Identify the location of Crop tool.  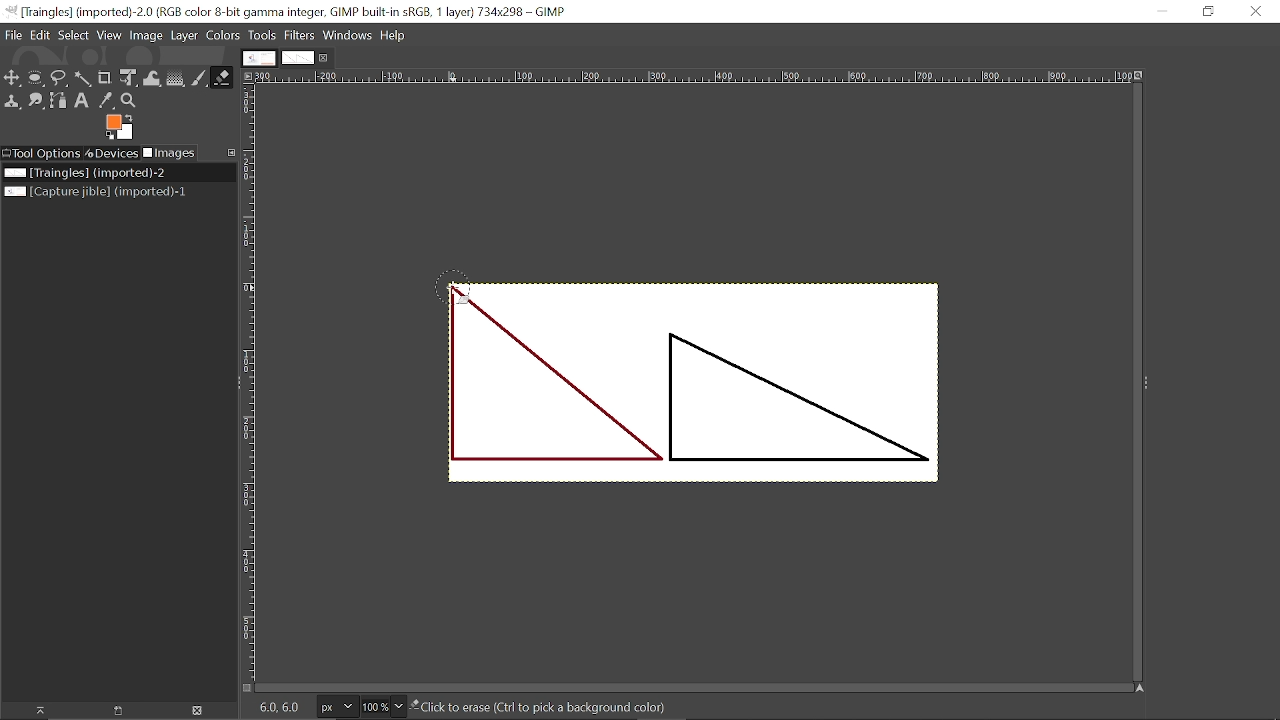
(103, 78).